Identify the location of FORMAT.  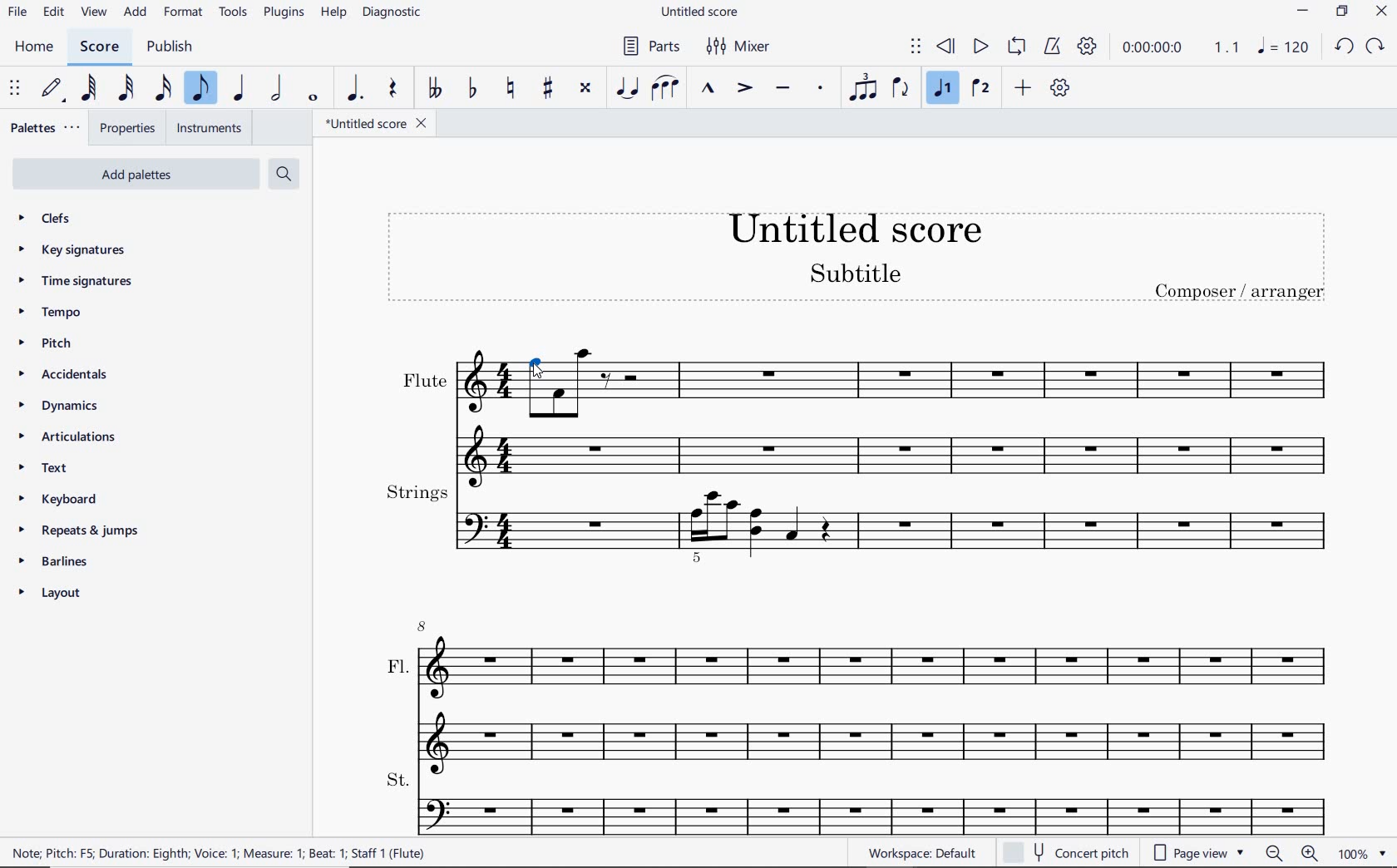
(186, 14).